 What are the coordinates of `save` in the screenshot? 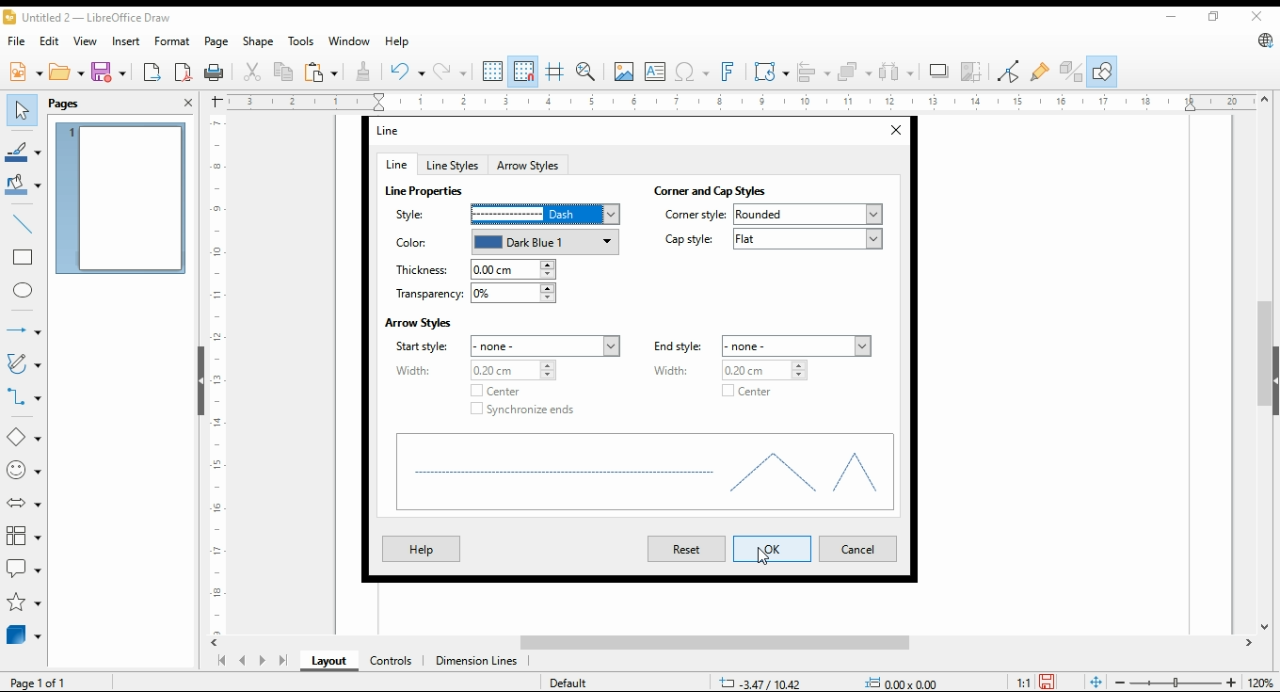 It's located at (107, 71).